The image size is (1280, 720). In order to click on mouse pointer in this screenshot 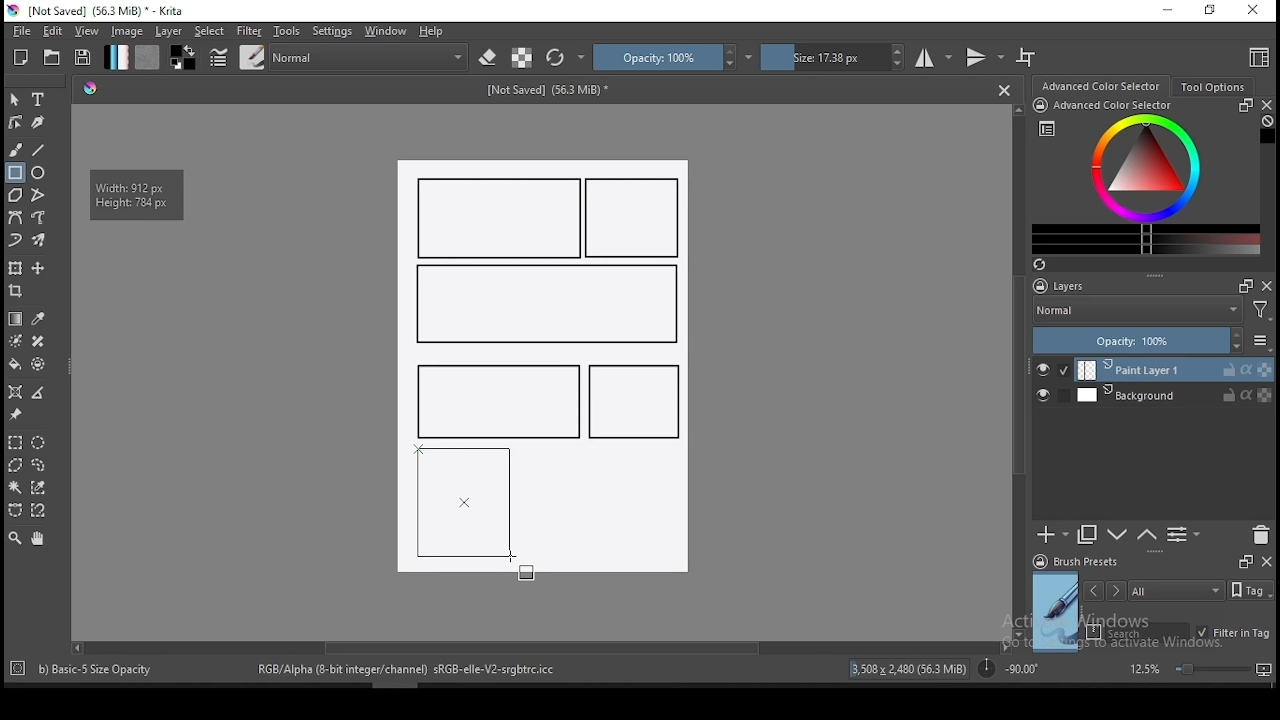, I will do `click(513, 561)`.